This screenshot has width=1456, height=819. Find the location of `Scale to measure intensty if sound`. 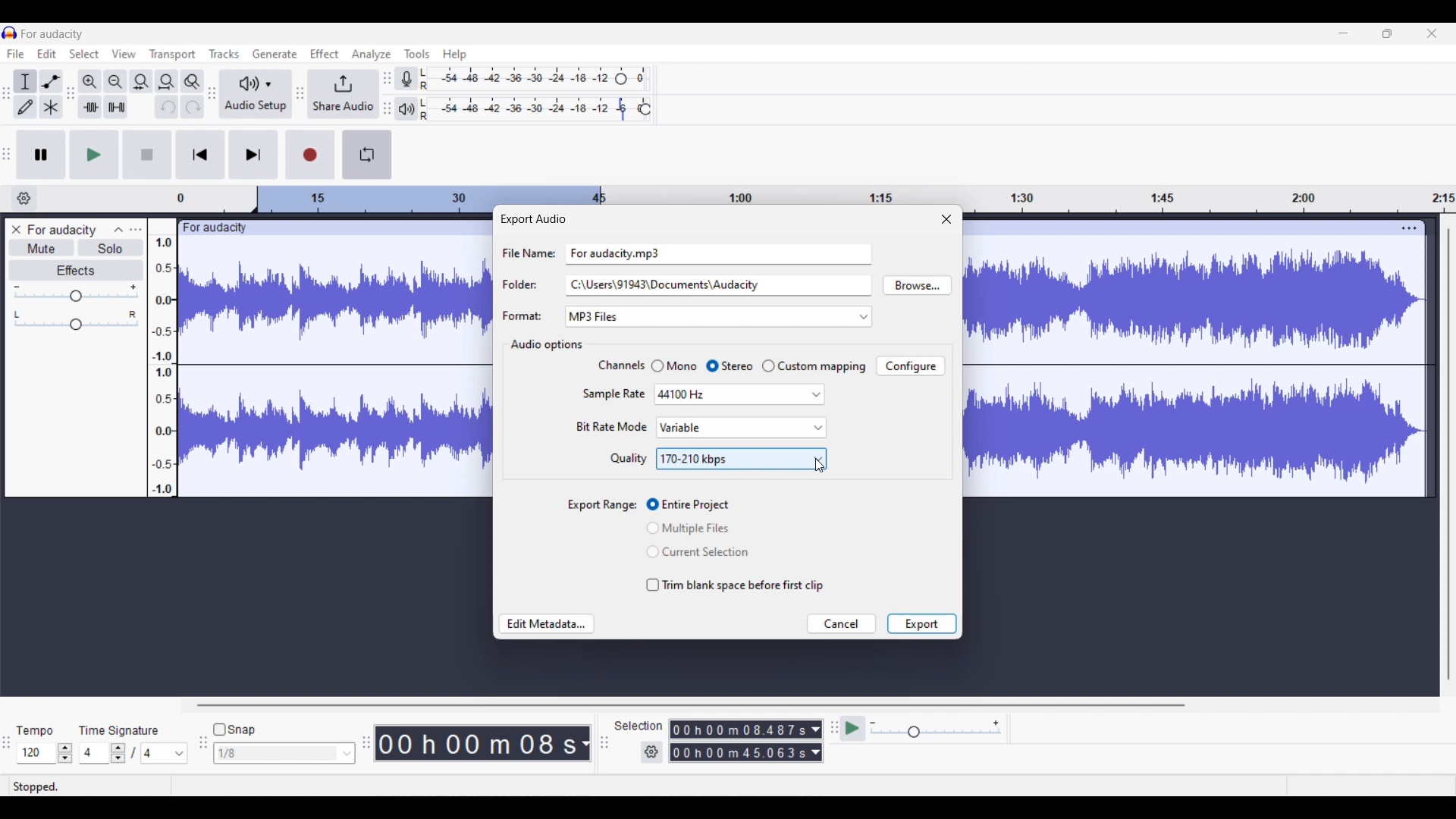

Scale to measure intensty if sound is located at coordinates (162, 366).